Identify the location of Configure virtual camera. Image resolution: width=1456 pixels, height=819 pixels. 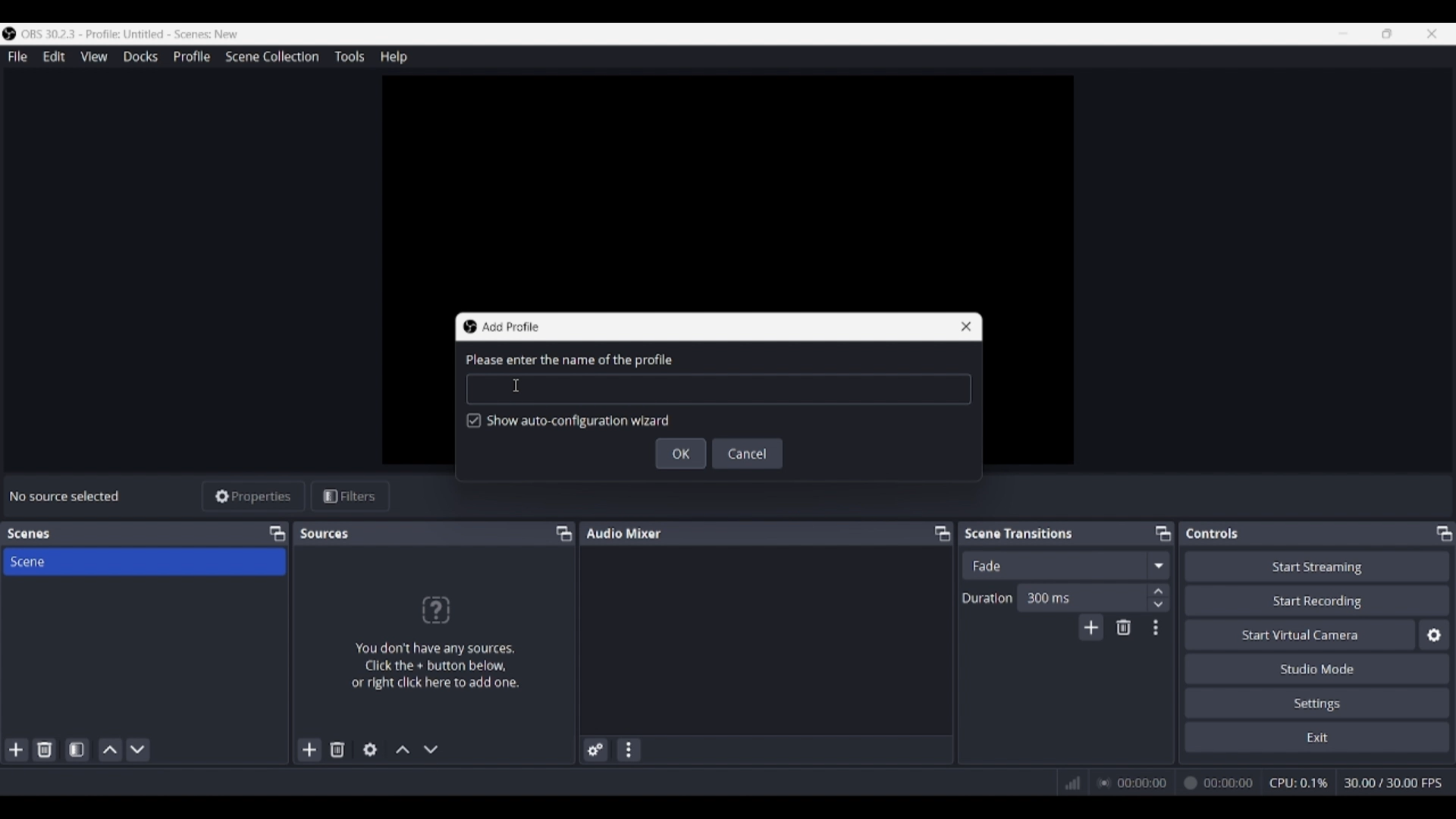
(1434, 635).